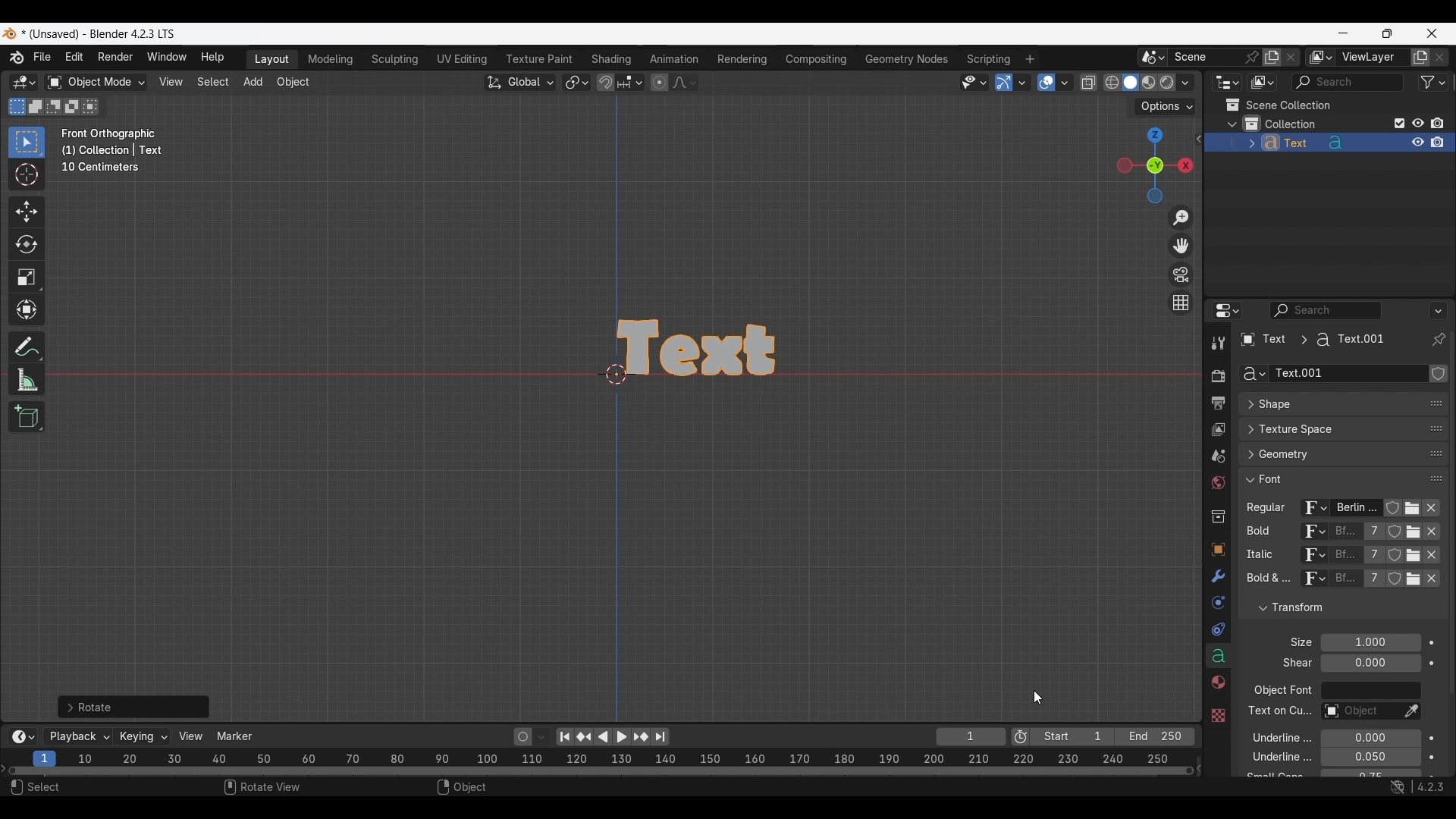 This screenshot has width=1456, height=819. I want to click on pan view, so click(273, 789).